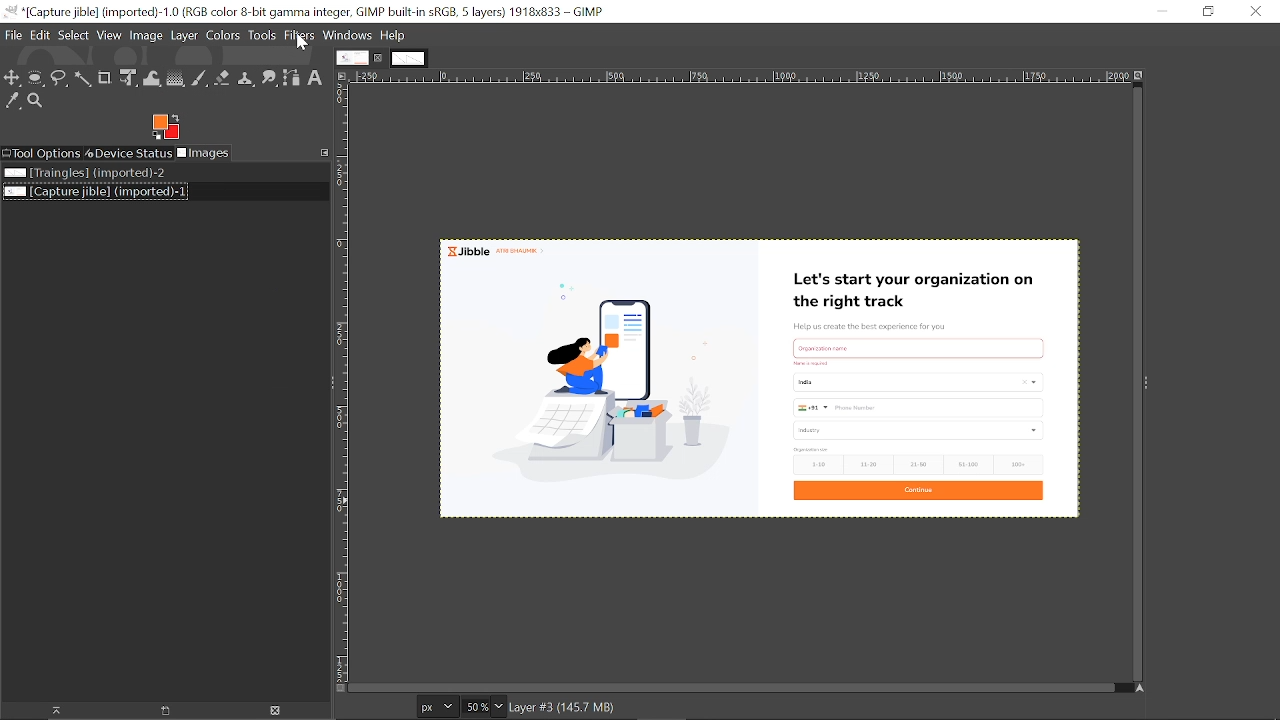 The height and width of the screenshot is (720, 1280). Describe the element at coordinates (84, 173) in the screenshot. I see `File named "Triangles"` at that location.